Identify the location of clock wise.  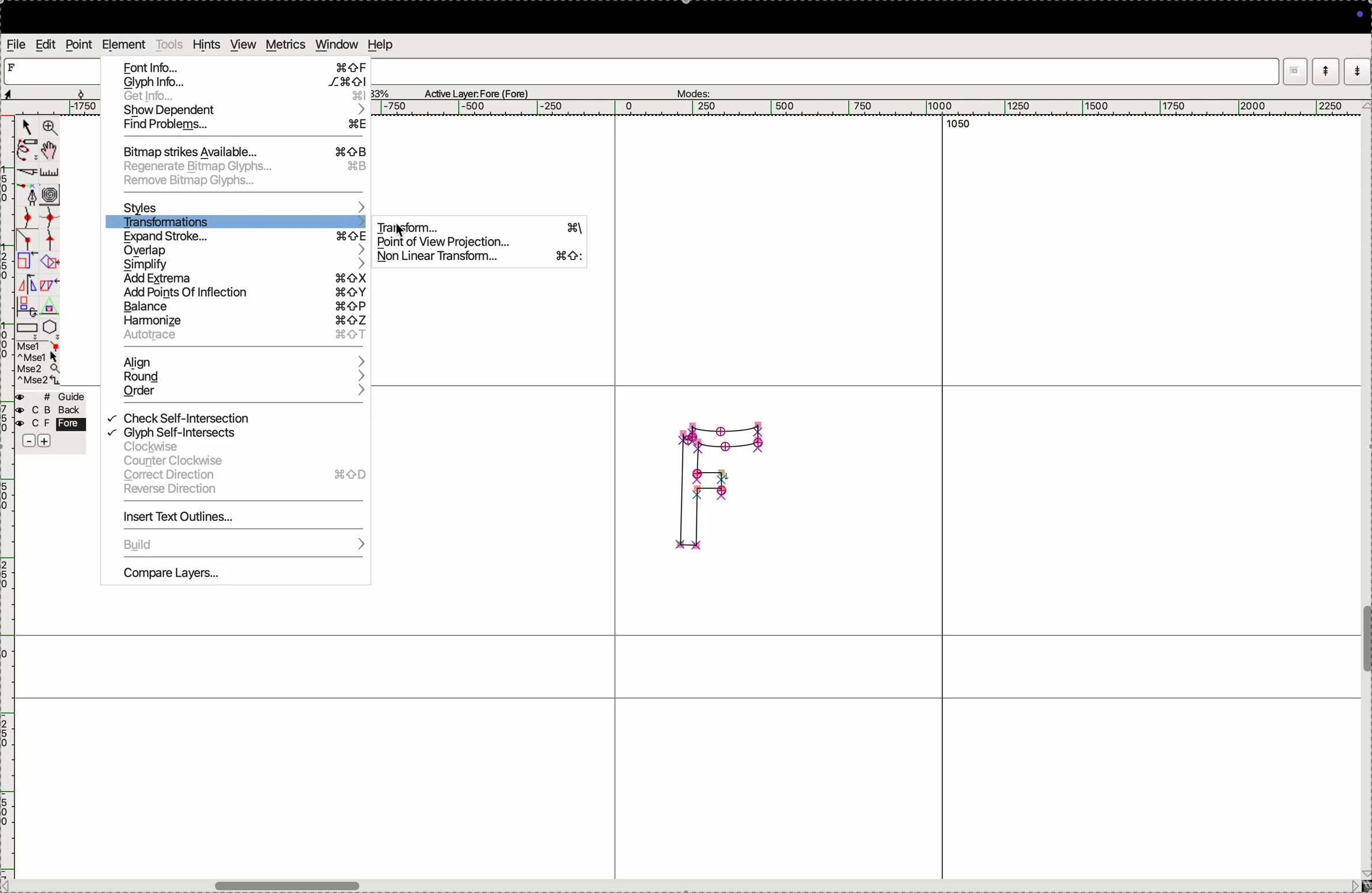
(233, 448).